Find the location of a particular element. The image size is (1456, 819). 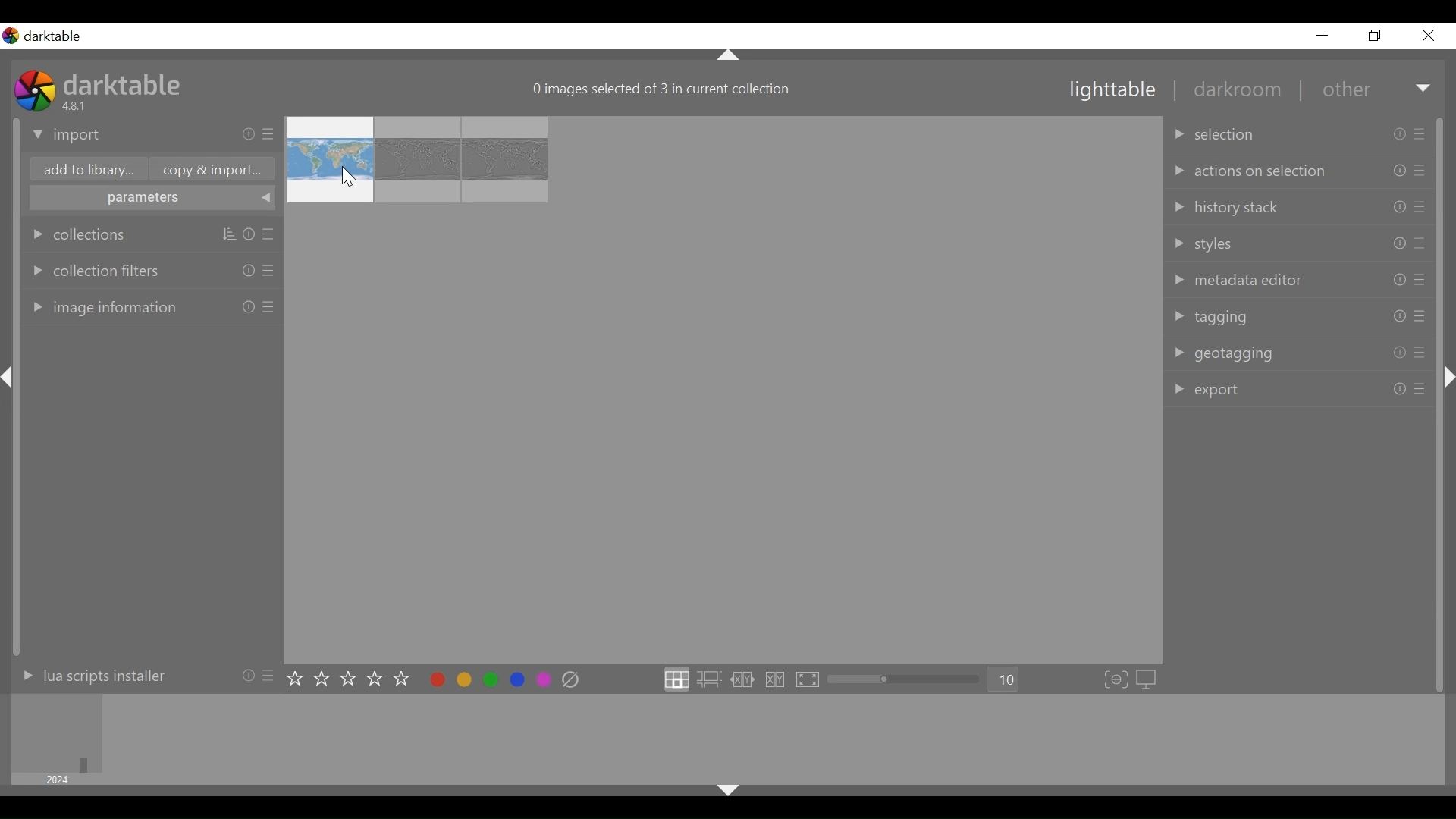

 is located at coordinates (732, 795).